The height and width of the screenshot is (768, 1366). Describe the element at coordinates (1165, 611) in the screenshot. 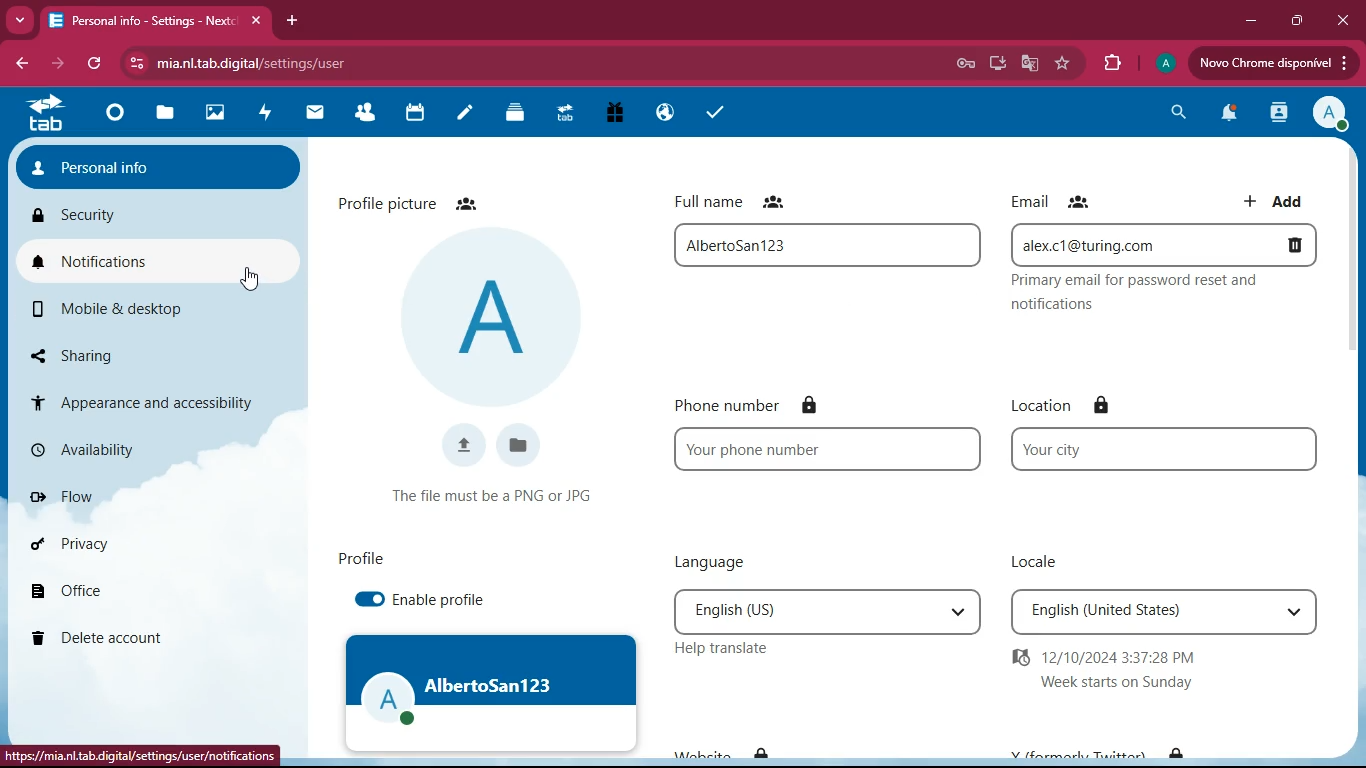

I see `locale` at that location.